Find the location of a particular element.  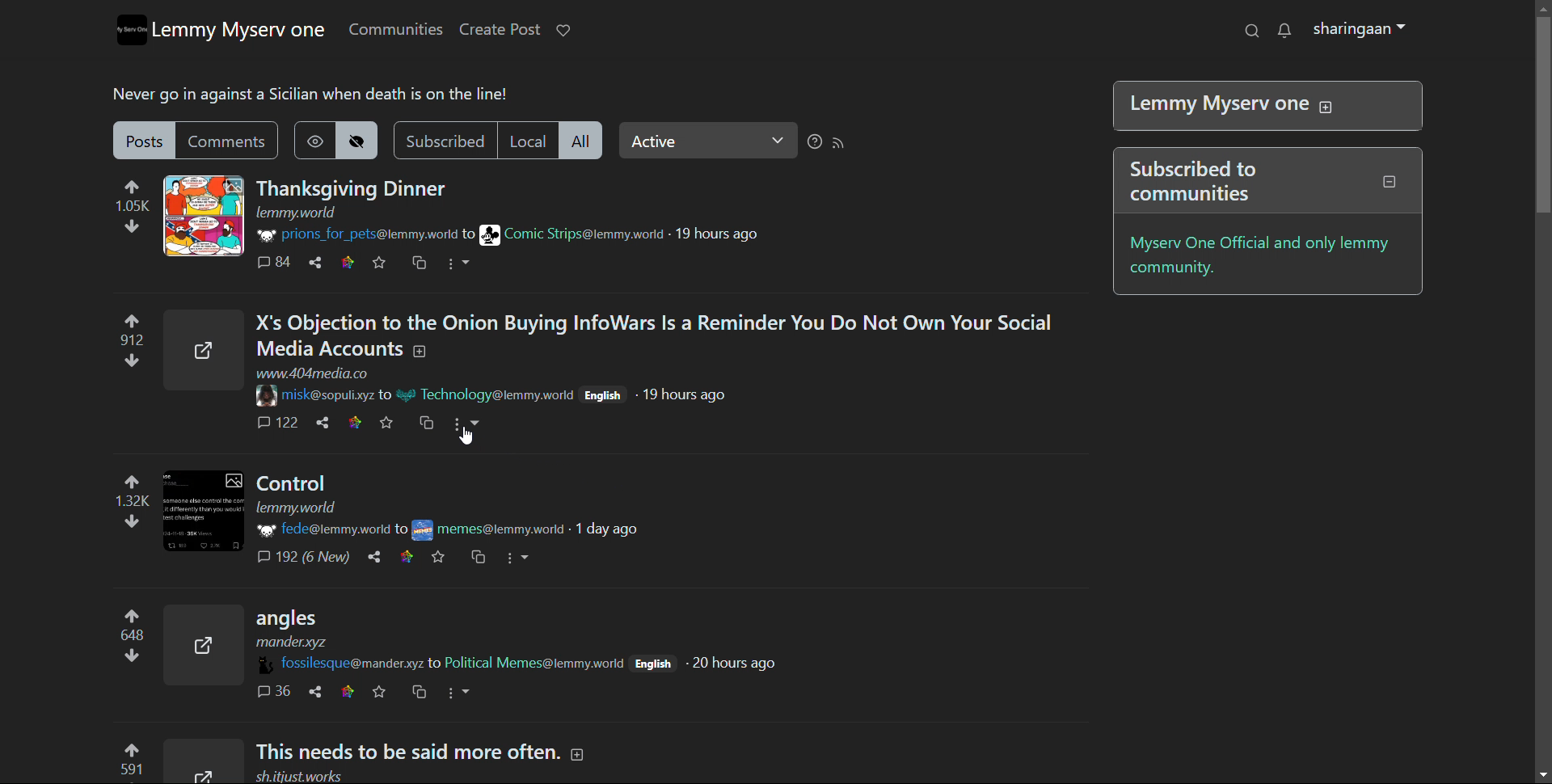

scrollbar is located at coordinates (1544, 114).